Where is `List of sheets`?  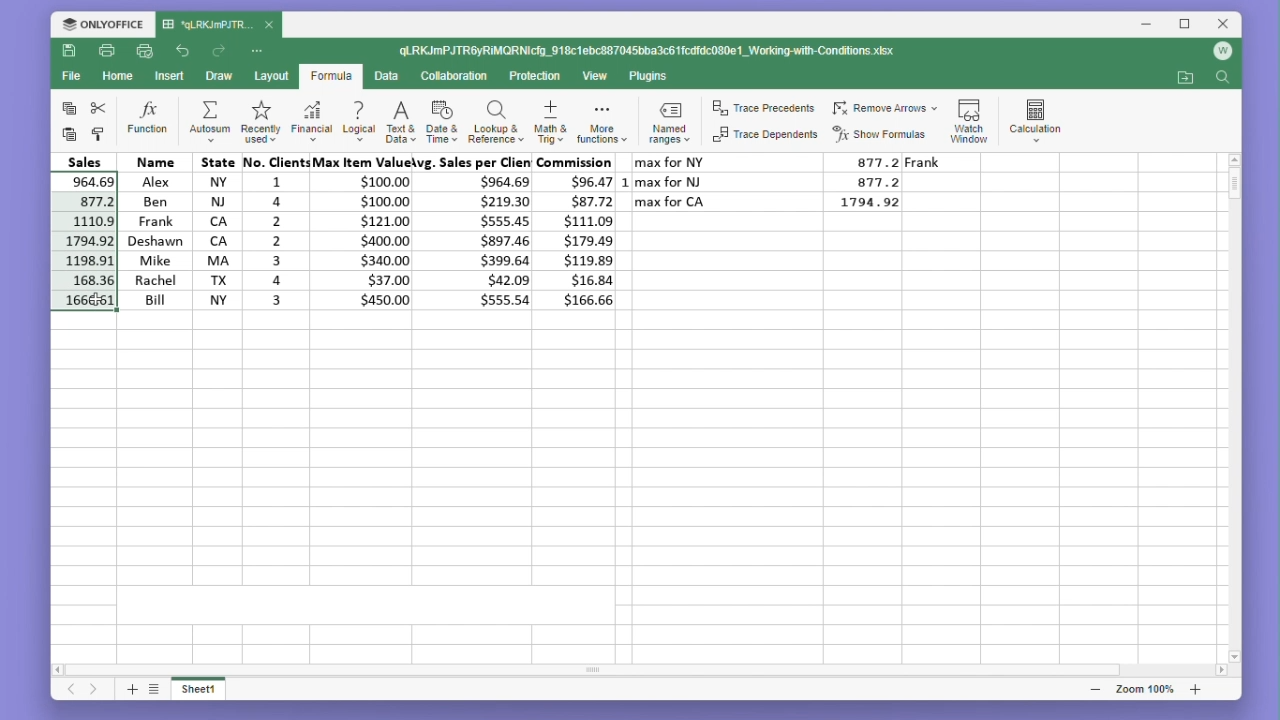
List of sheets is located at coordinates (159, 690).